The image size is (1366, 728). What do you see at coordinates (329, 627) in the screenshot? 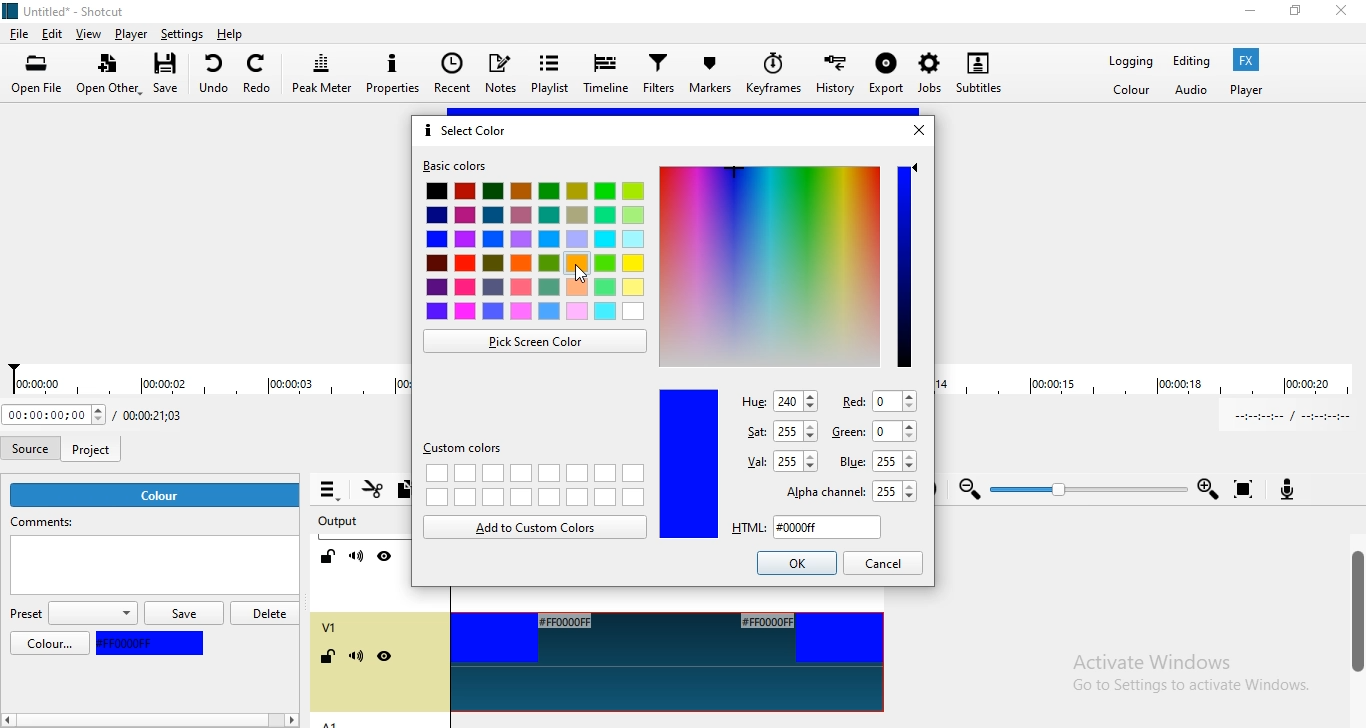
I see `V1` at bounding box center [329, 627].